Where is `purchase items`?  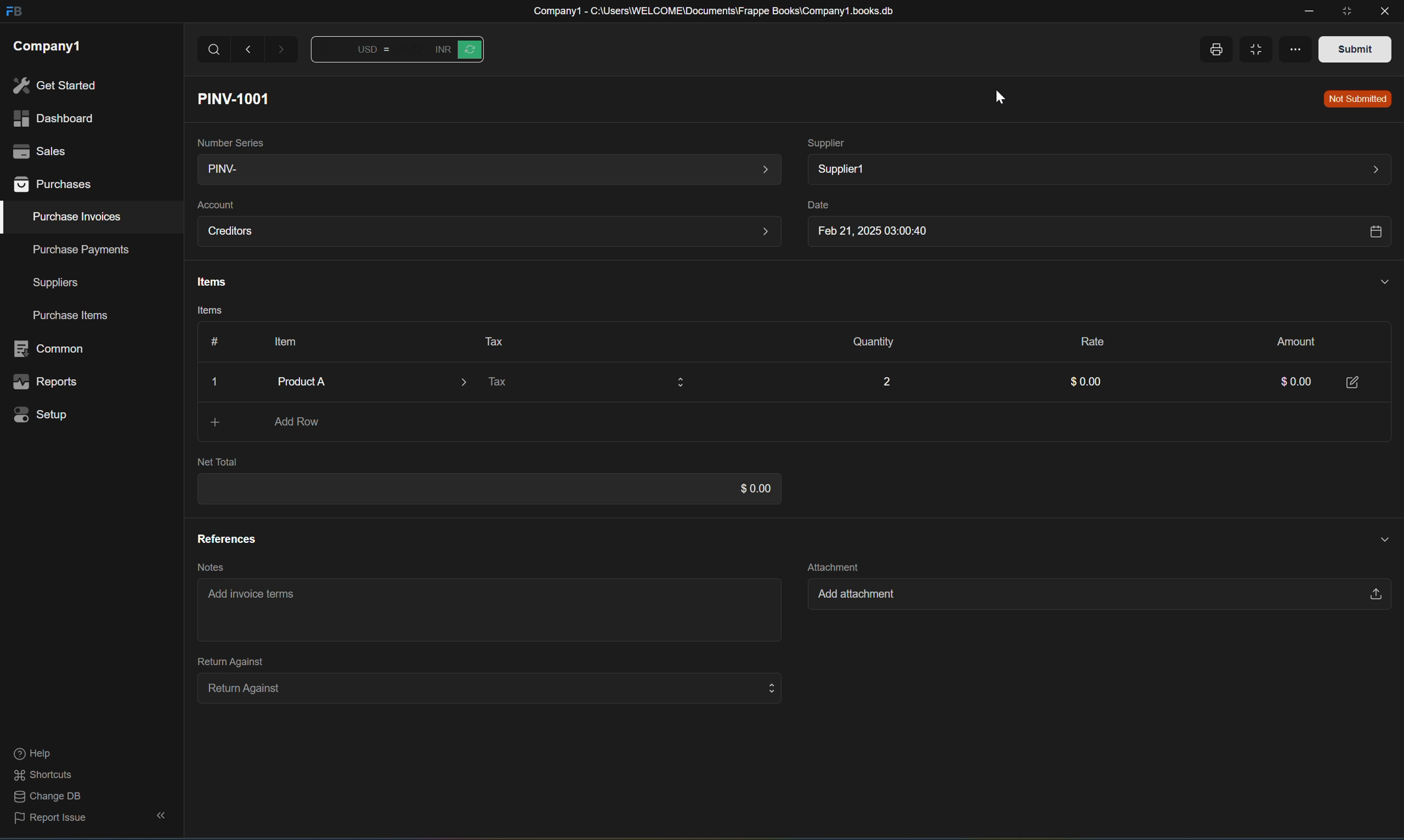
purchase items is located at coordinates (73, 316).